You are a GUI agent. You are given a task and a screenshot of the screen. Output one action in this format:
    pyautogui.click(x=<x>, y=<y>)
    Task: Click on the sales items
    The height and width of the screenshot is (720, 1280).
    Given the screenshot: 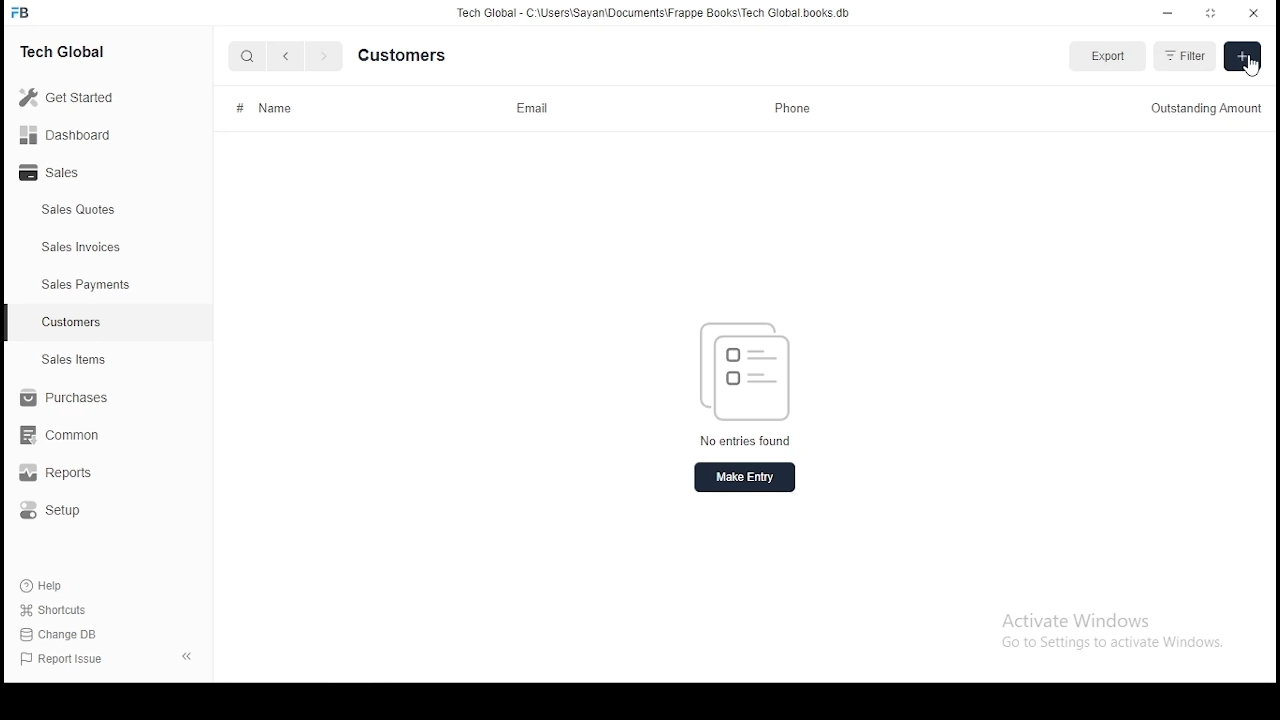 What is the action you would take?
    pyautogui.click(x=72, y=360)
    